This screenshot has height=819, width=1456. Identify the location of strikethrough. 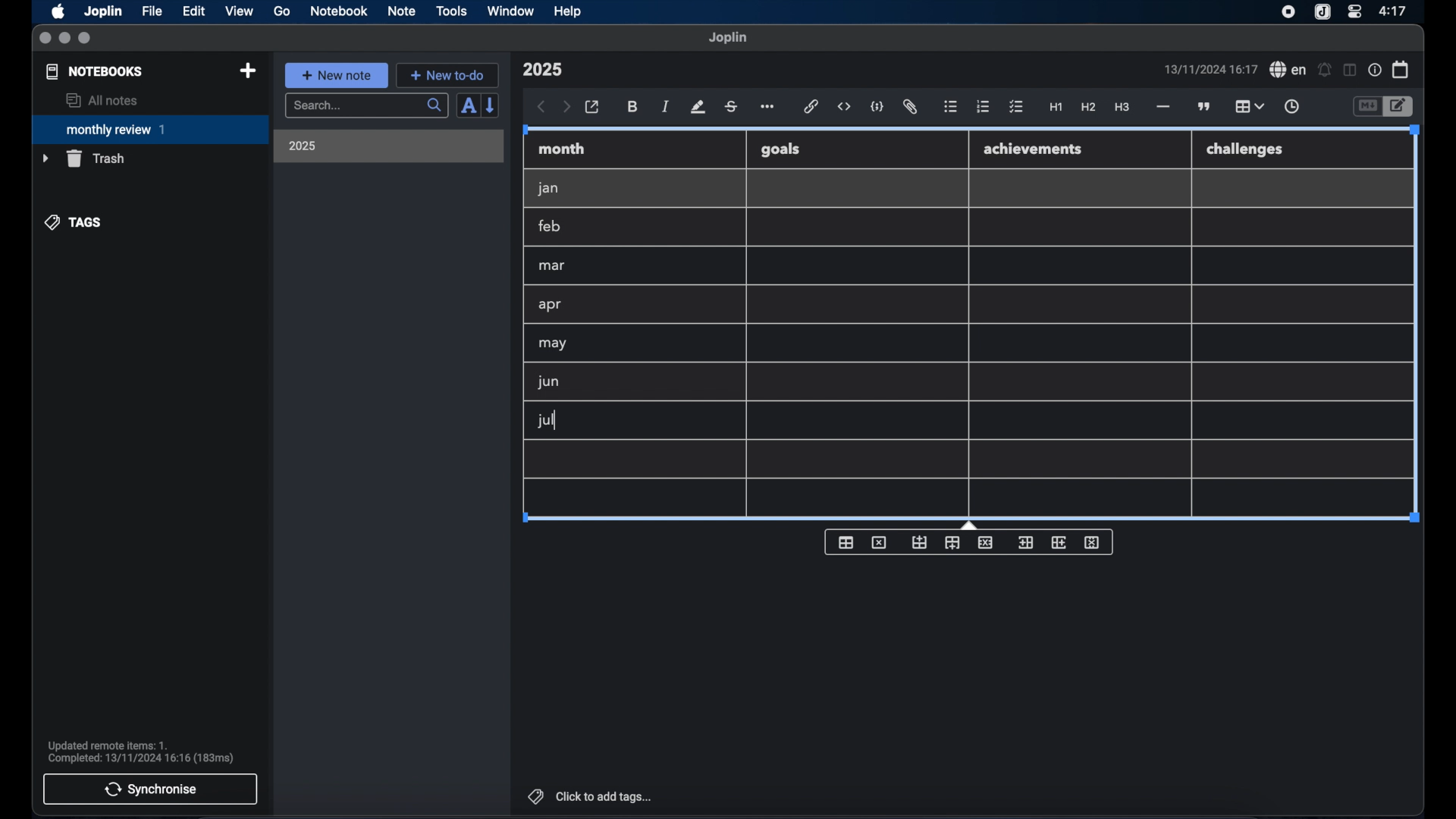
(730, 107).